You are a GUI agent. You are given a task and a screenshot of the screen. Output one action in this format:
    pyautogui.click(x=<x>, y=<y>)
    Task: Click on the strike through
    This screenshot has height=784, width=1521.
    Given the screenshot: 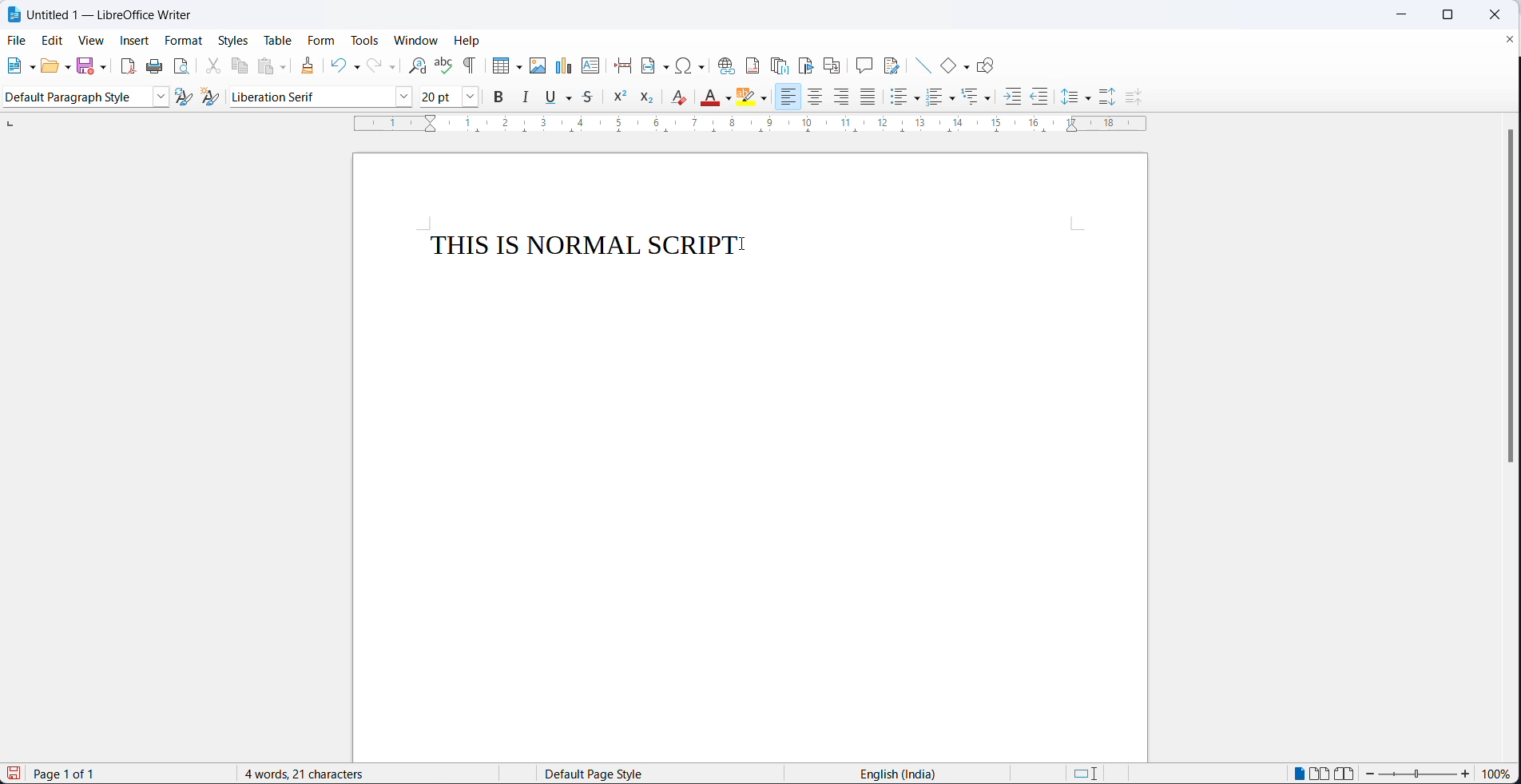 What is the action you would take?
    pyautogui.click(x=594, y=97)
    